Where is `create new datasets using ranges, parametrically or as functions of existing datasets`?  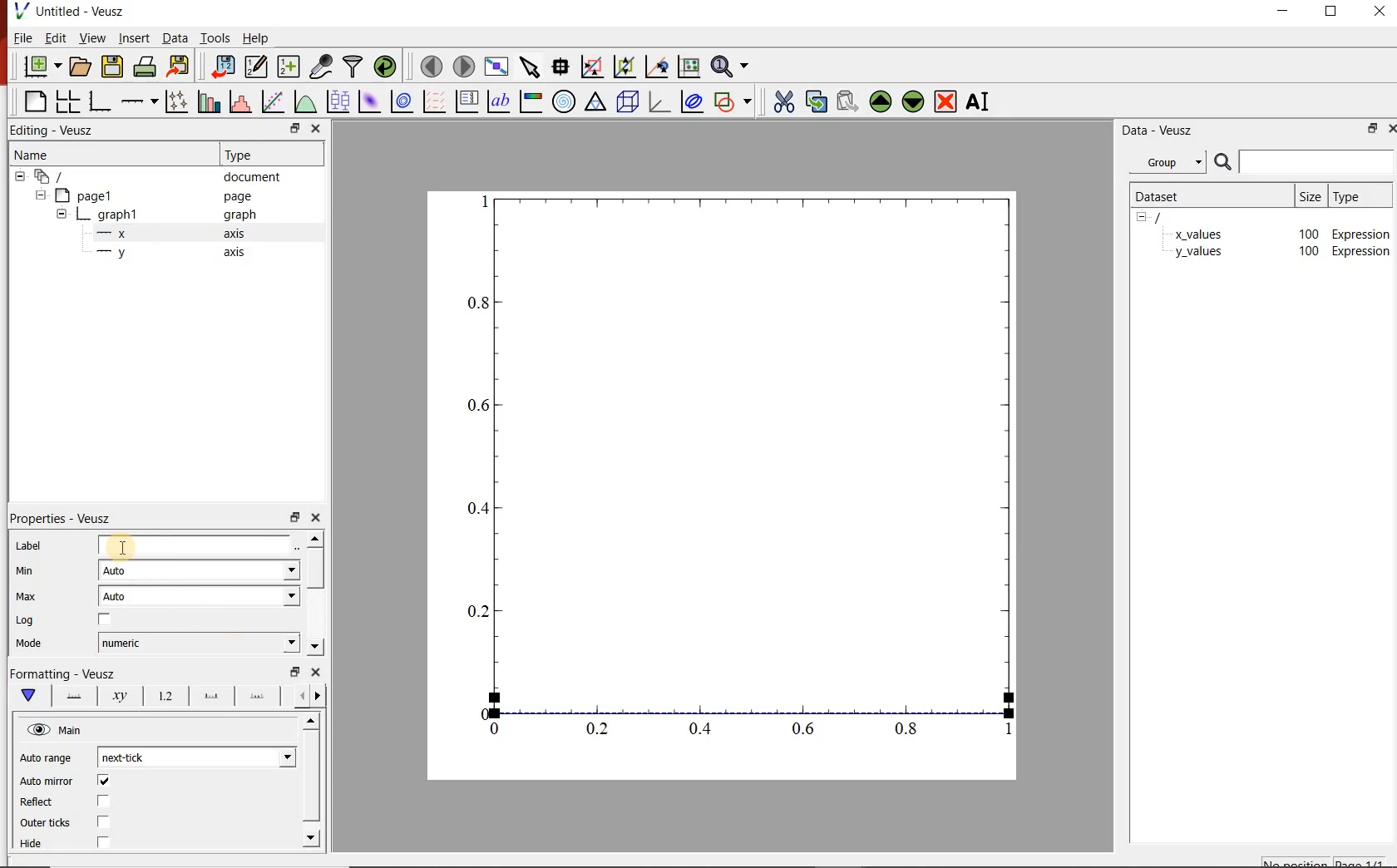 create new datasets using ranges, parametrically or as functions of existing datasets is located at coordinates (291, 67).